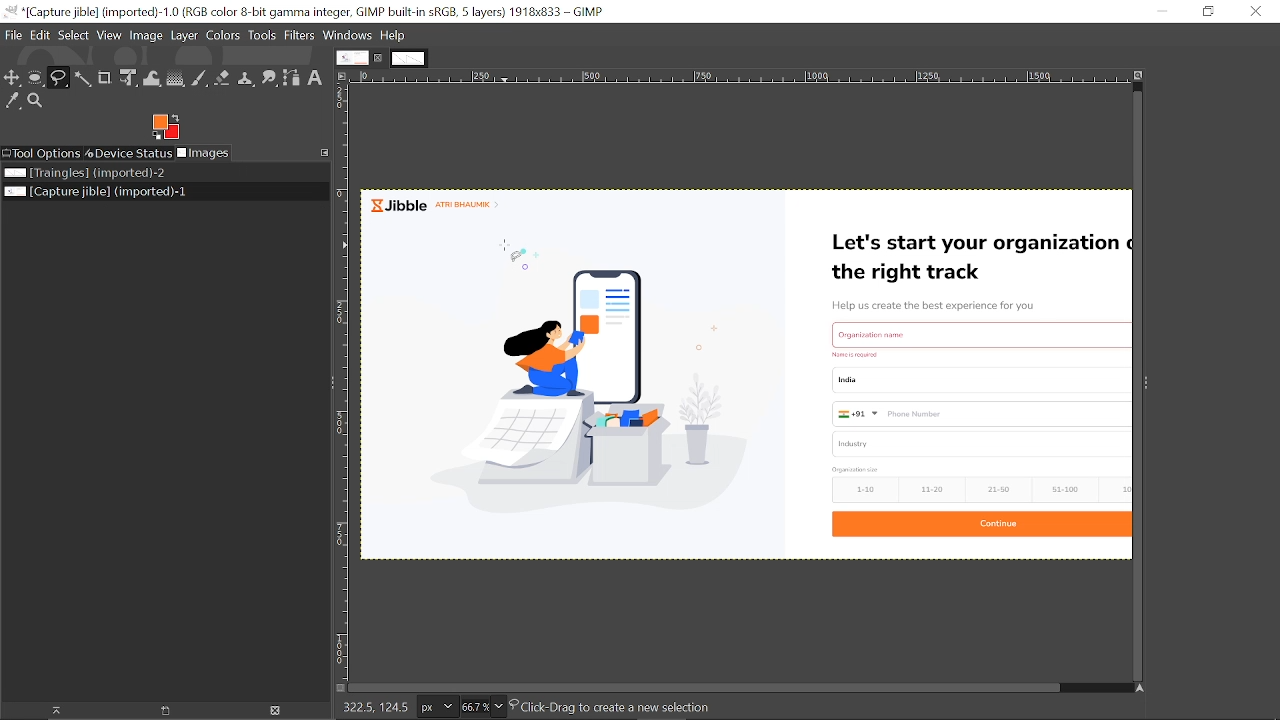  I want to click on Current image file, so click(98, 192).